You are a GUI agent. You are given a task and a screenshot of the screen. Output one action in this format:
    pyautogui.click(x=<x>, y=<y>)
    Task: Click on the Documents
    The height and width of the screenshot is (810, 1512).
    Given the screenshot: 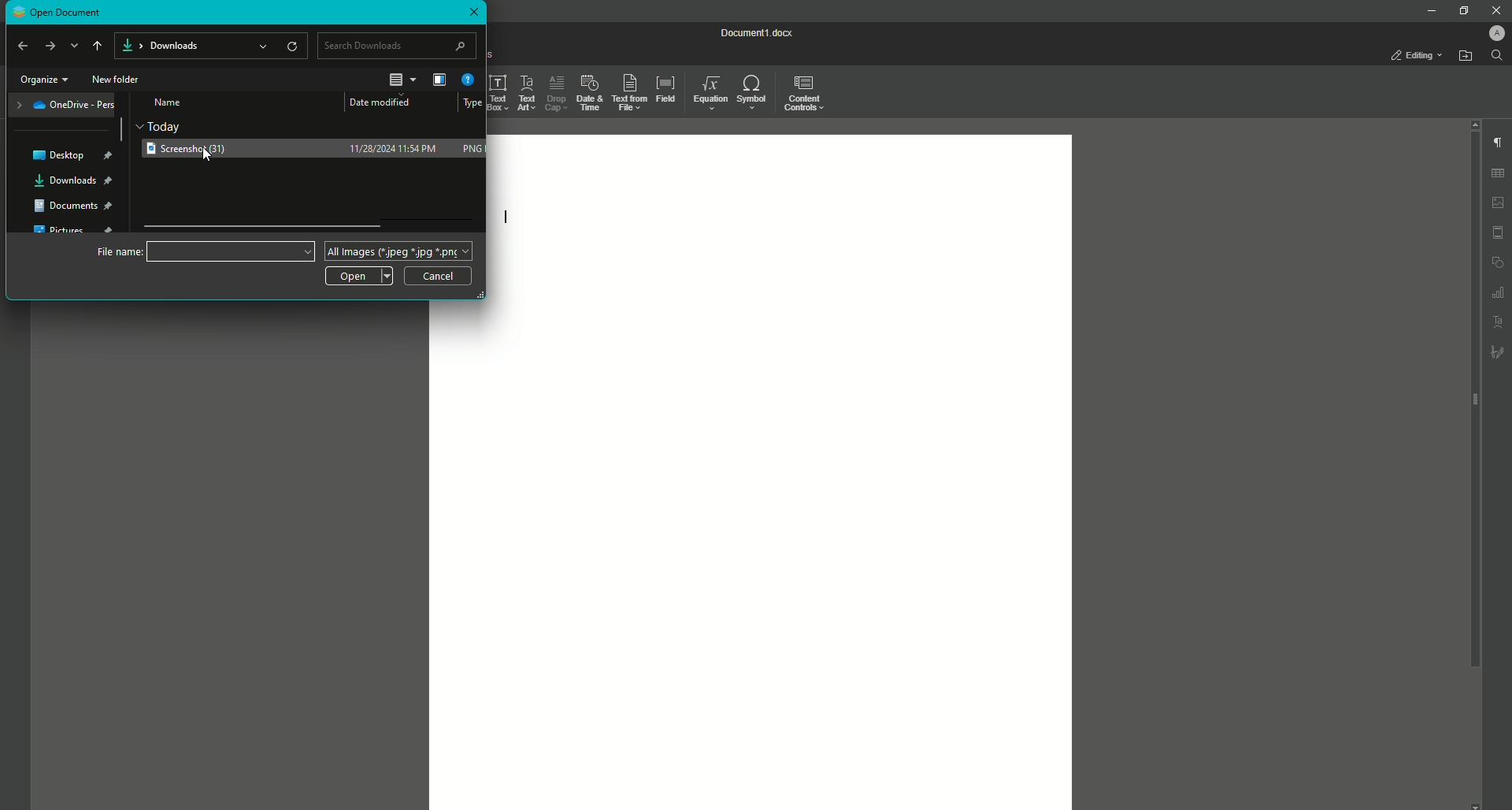 What is the action you would take?
    pyautogui.click(x=73, y=208)
    